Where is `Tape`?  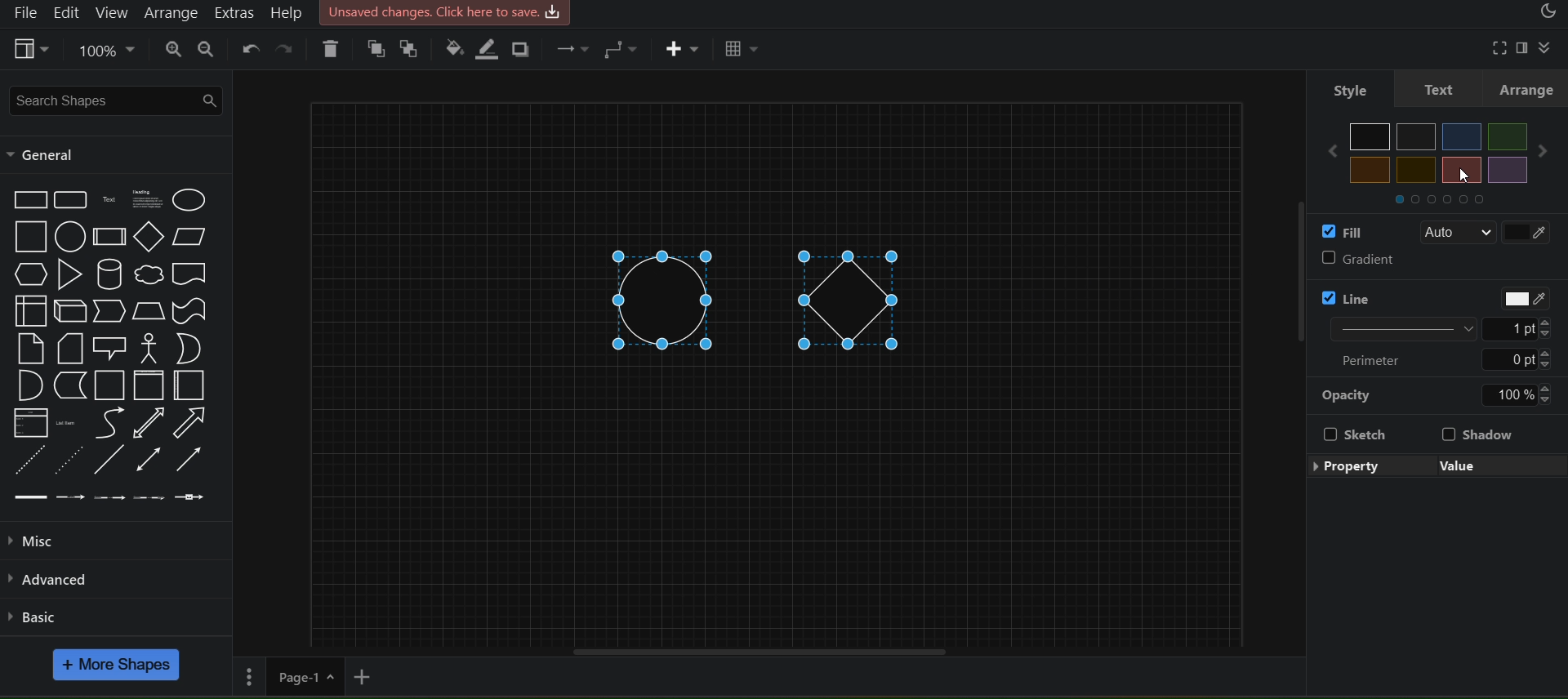 Tape is located at coordinates (191, 311).